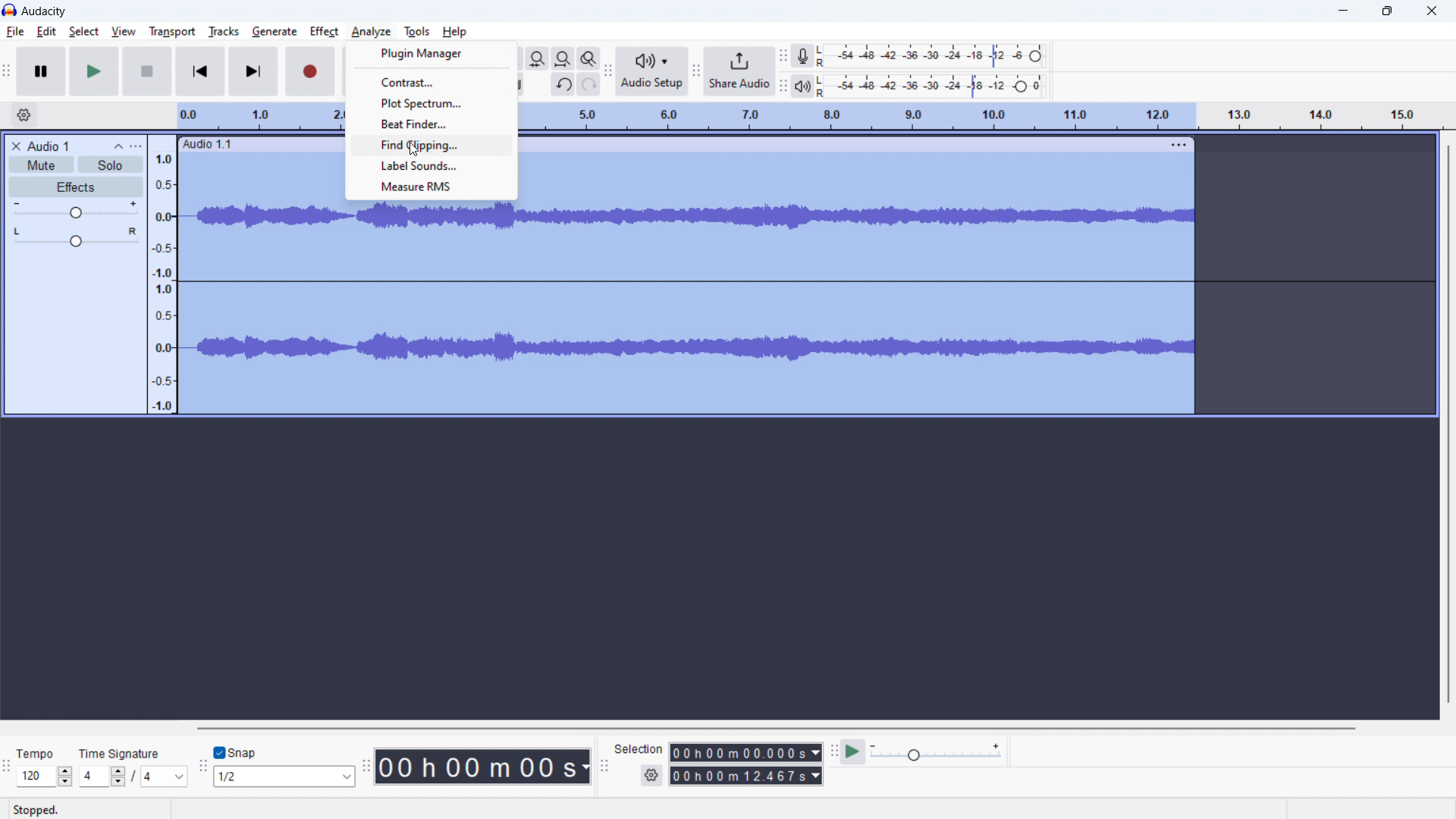 Image resolution: width=1456 pixels, height=819 pixels. Describe the element at coordinates (432, 83) in the screenshot. I see `contrast` at that location.